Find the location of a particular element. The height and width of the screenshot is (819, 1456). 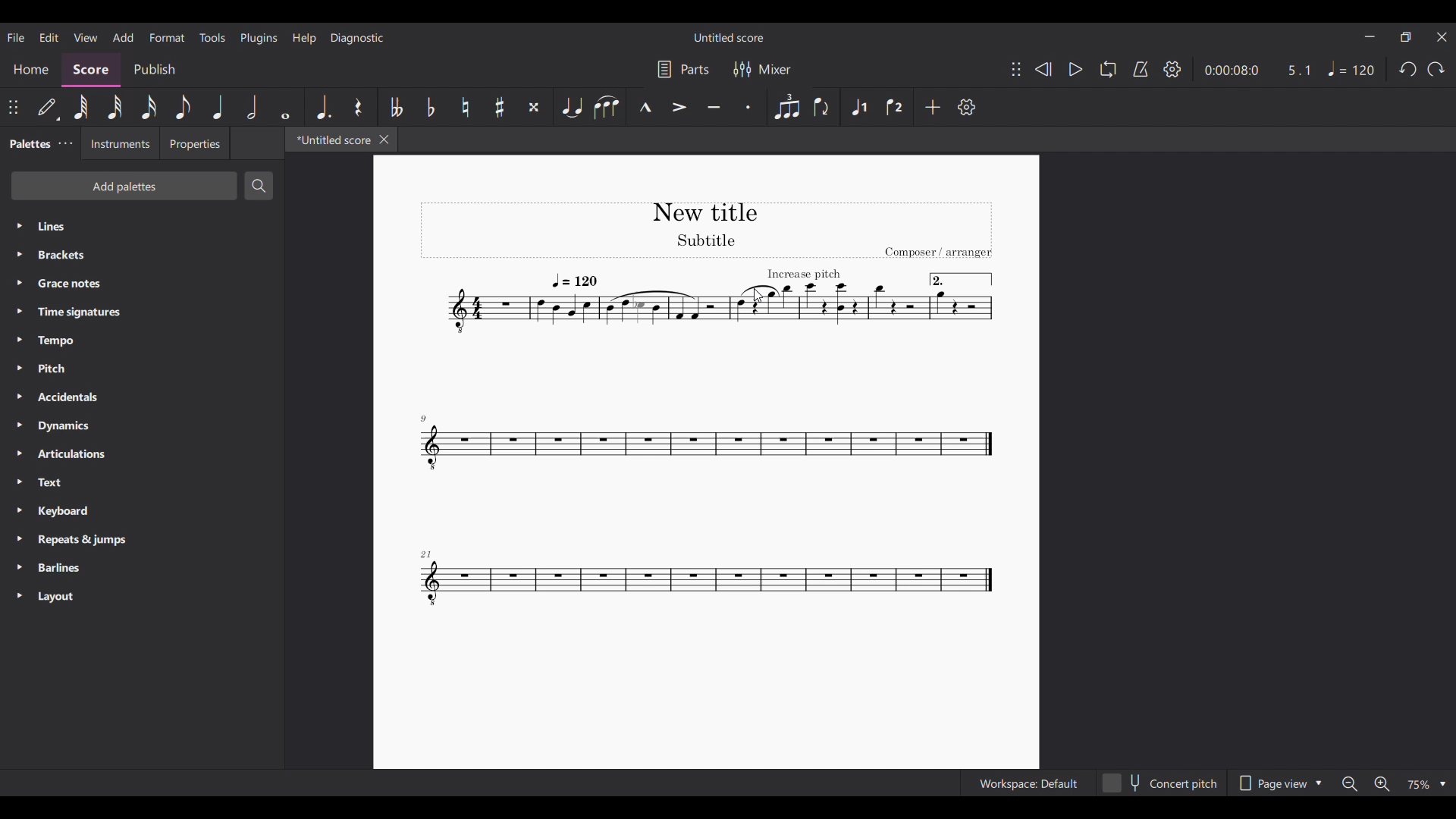

16th note is located at coordinates (149, 107).